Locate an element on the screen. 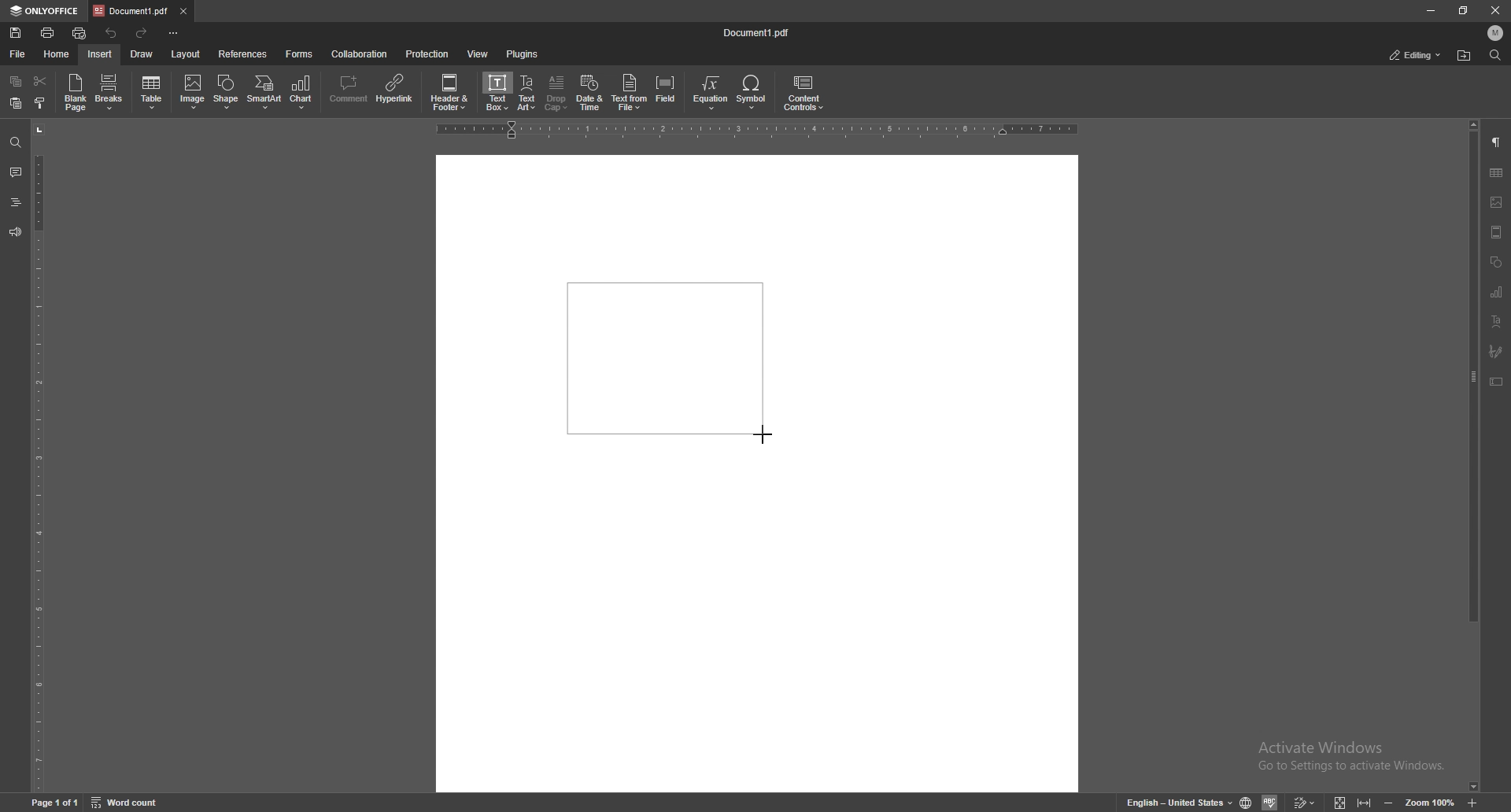 The image size is (1511, 812). set doc language is located at coordinates (1247, 803).